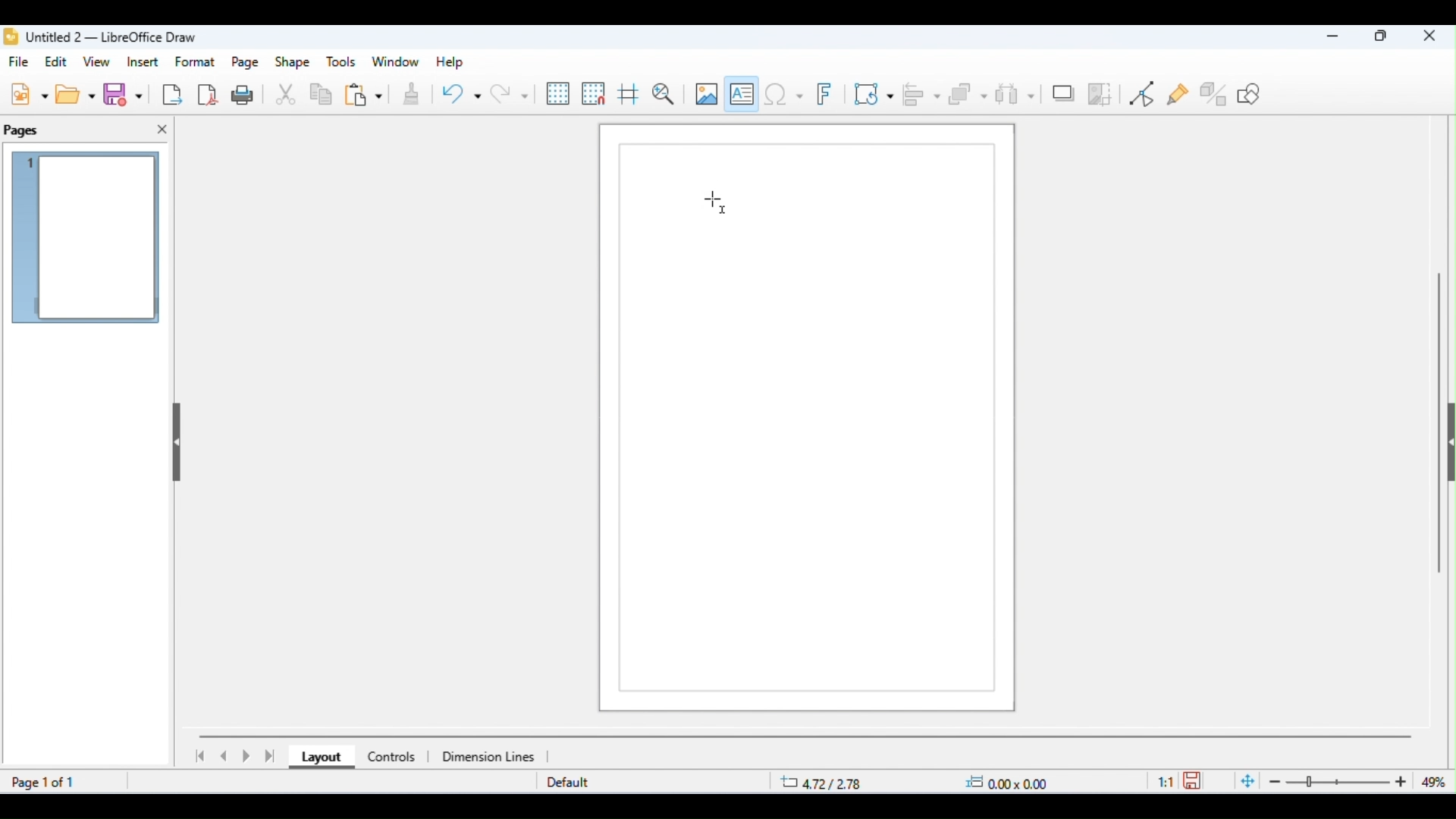  Describe the element at coordinates (171, 94) in the screenshot. I see `export` at that location.